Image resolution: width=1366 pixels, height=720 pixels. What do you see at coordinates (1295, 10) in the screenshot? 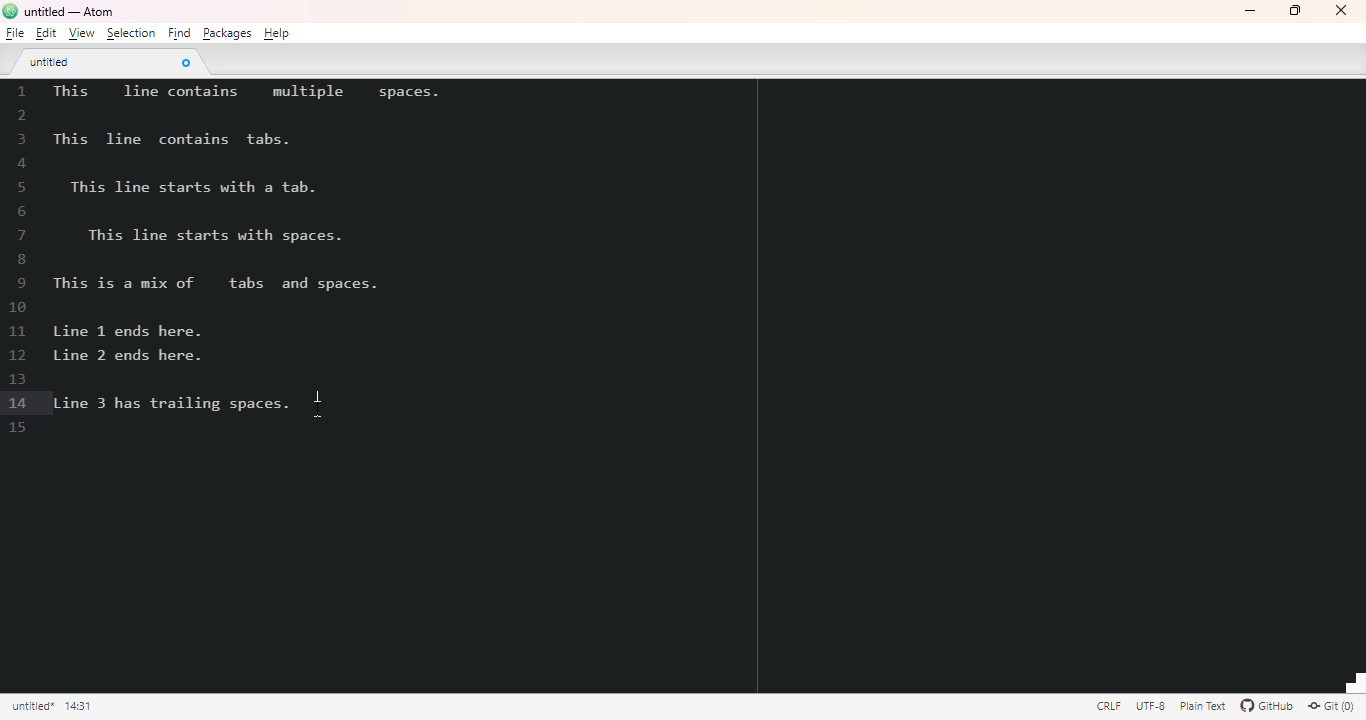
I see `maximize` at bounding box center [1295, 10].